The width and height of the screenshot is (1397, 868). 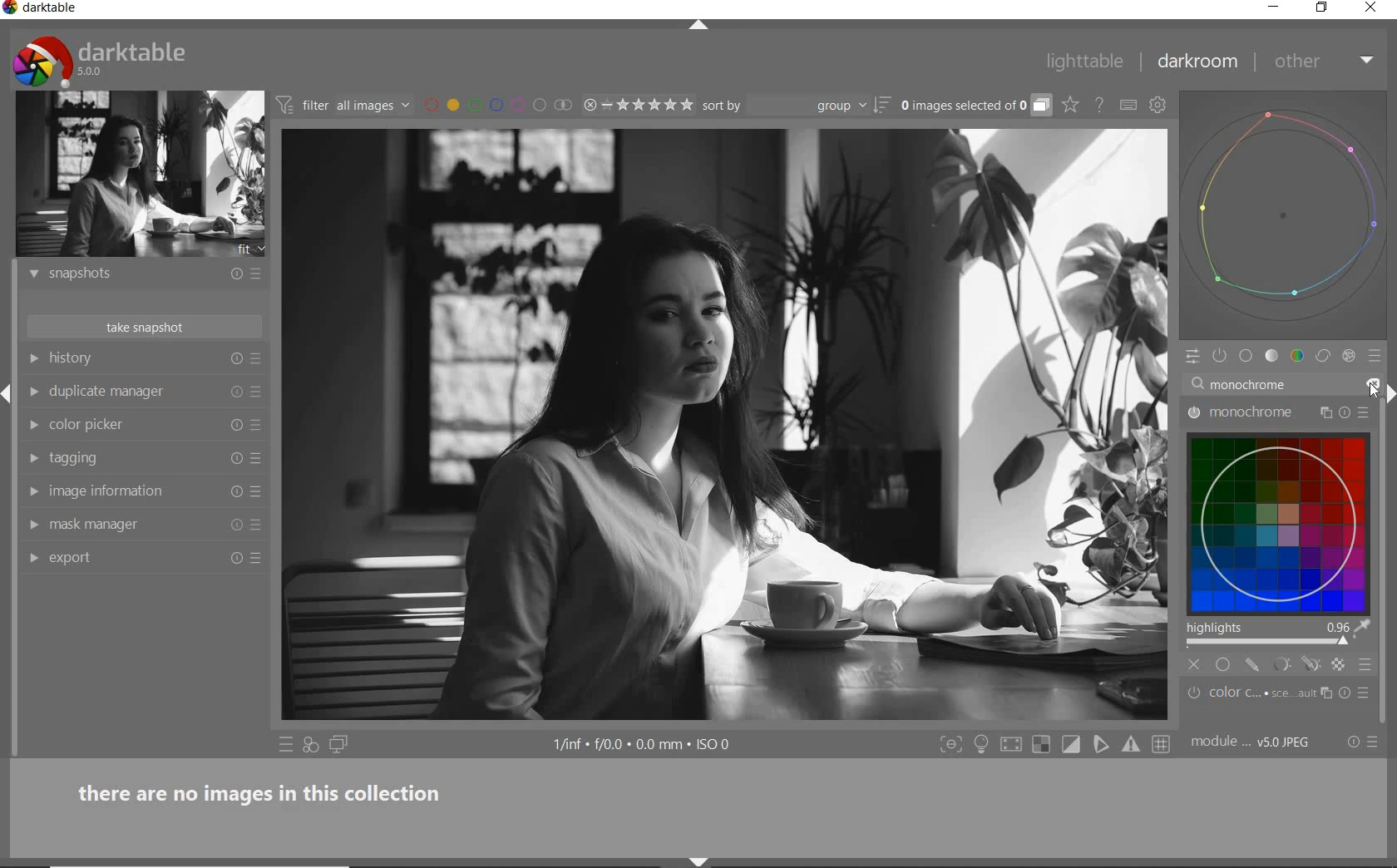 What do you see at coordinates (1296, 357) in the screenshot?
I see `color` at bounding box center [1296, 357].